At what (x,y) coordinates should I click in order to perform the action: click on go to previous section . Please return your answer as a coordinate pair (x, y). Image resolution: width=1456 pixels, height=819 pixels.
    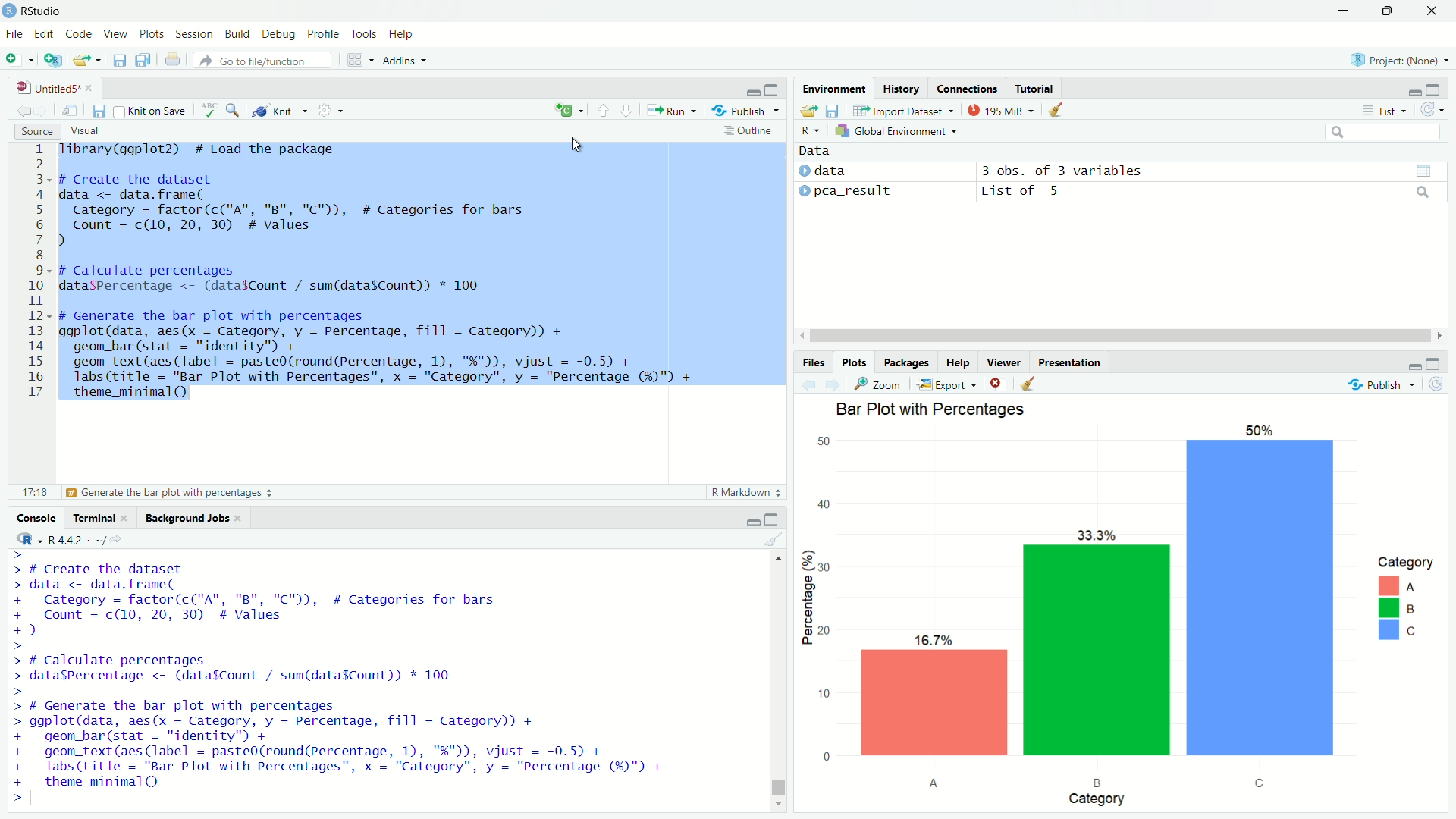
    Looking at the image, I should click on (604, 111).